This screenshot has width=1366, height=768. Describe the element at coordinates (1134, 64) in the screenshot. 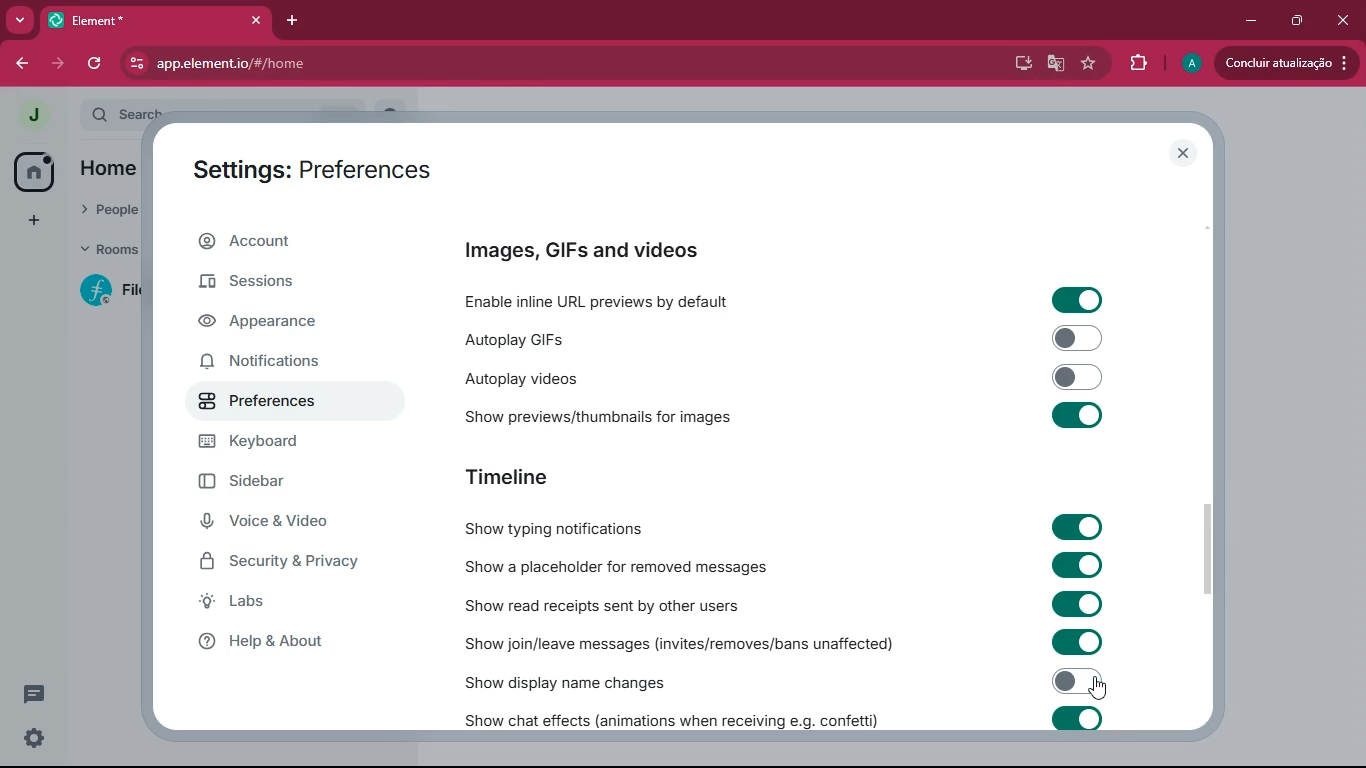

I see `extensions` at that location.